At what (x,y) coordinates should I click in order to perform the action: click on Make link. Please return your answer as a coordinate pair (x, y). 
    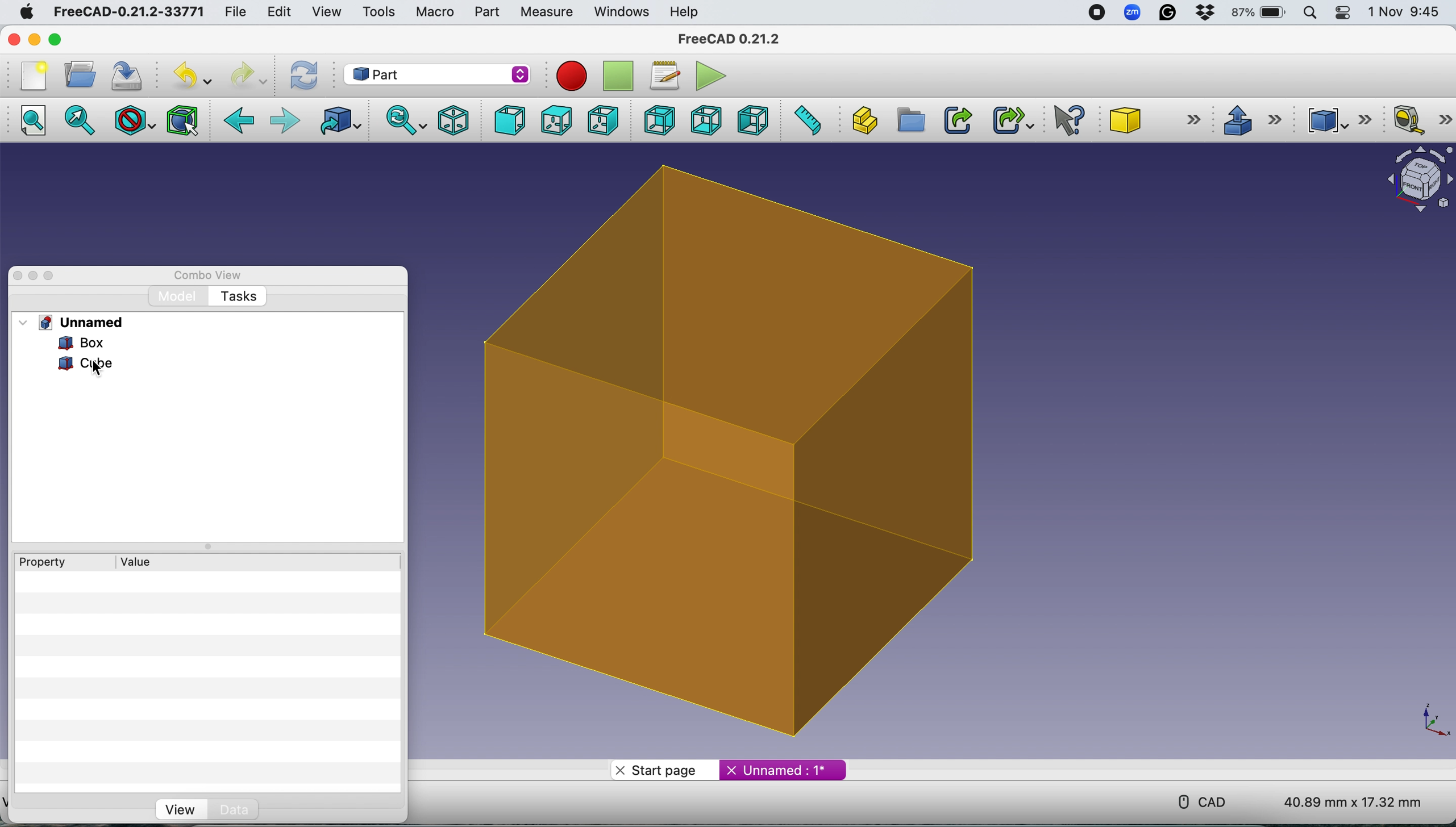
    Looking at the image, I should click on (958, 120).